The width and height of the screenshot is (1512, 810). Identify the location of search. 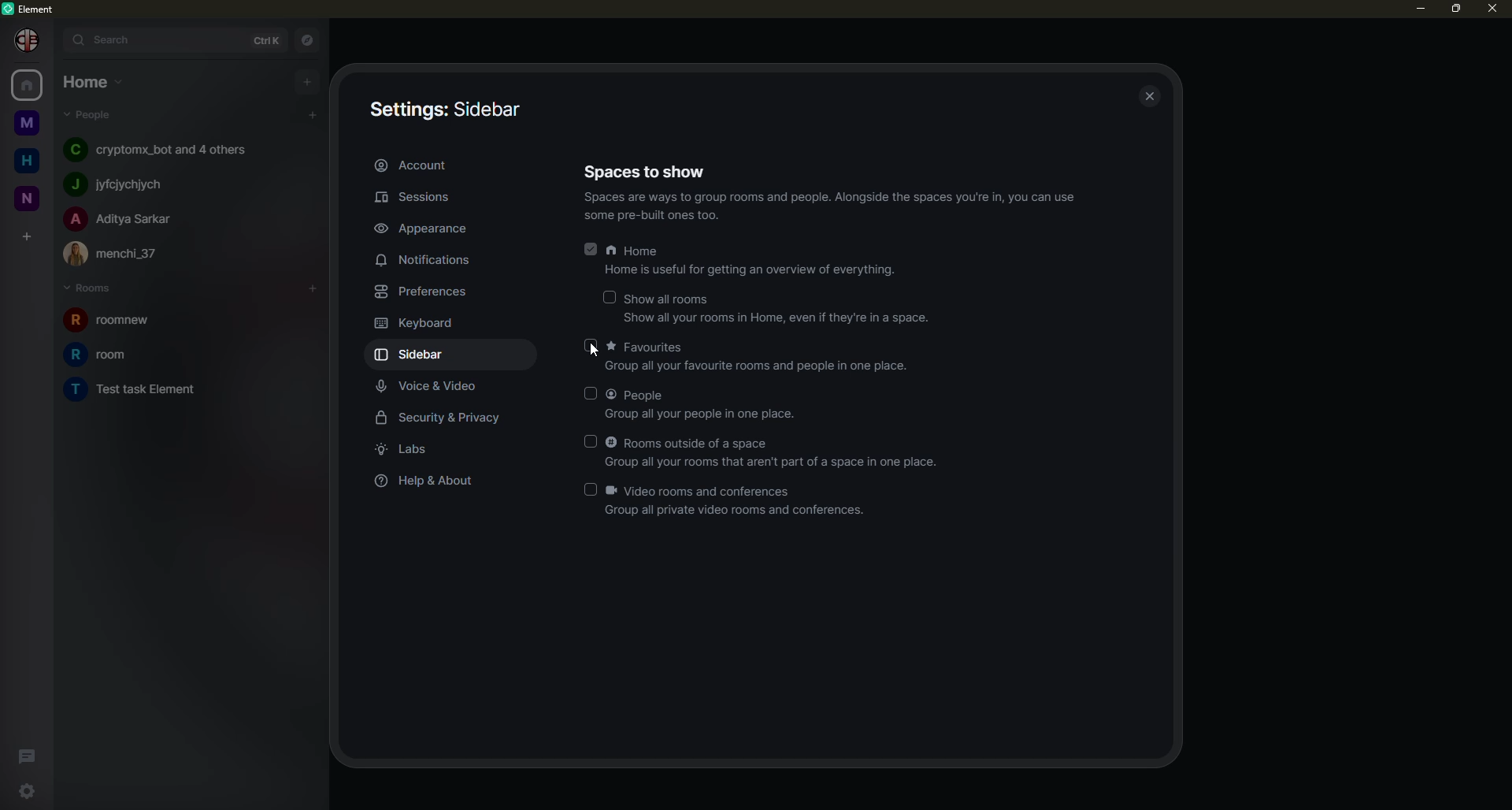
(110, 39).